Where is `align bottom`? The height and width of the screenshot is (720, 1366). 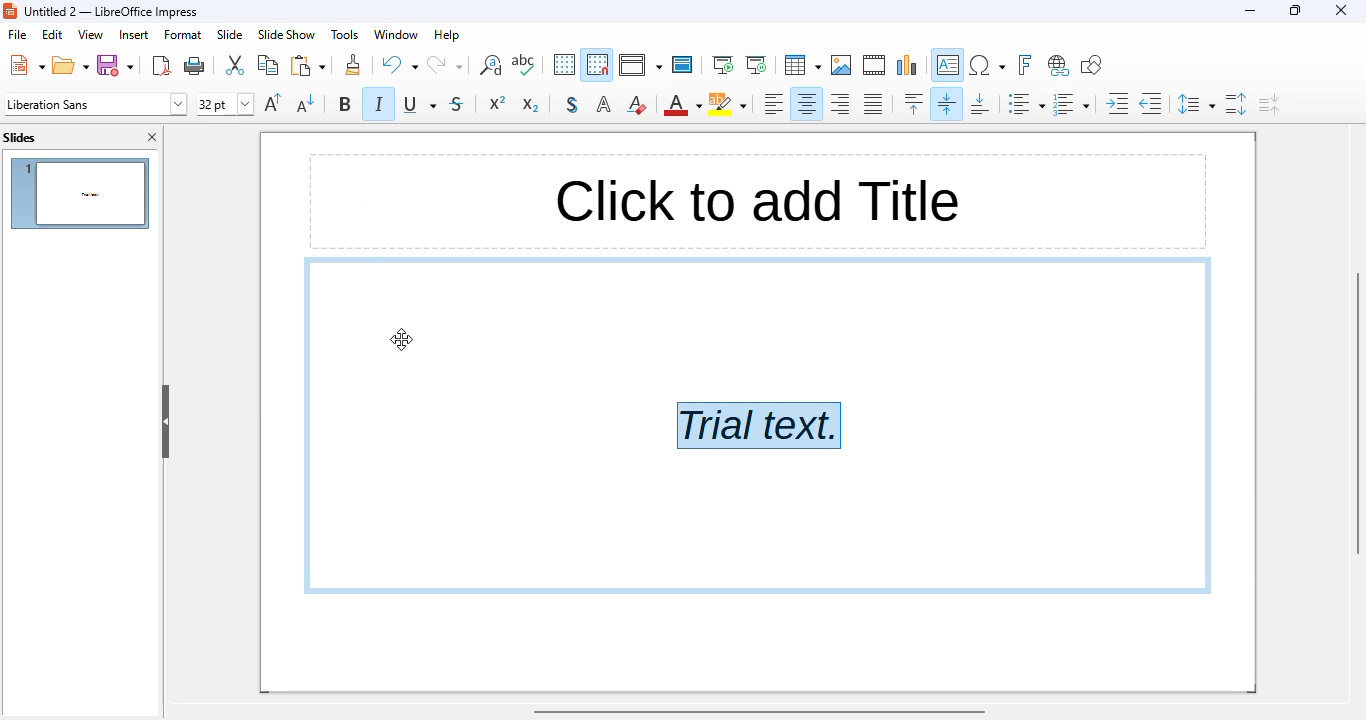
align bottom is located at coordinates (983, 103).